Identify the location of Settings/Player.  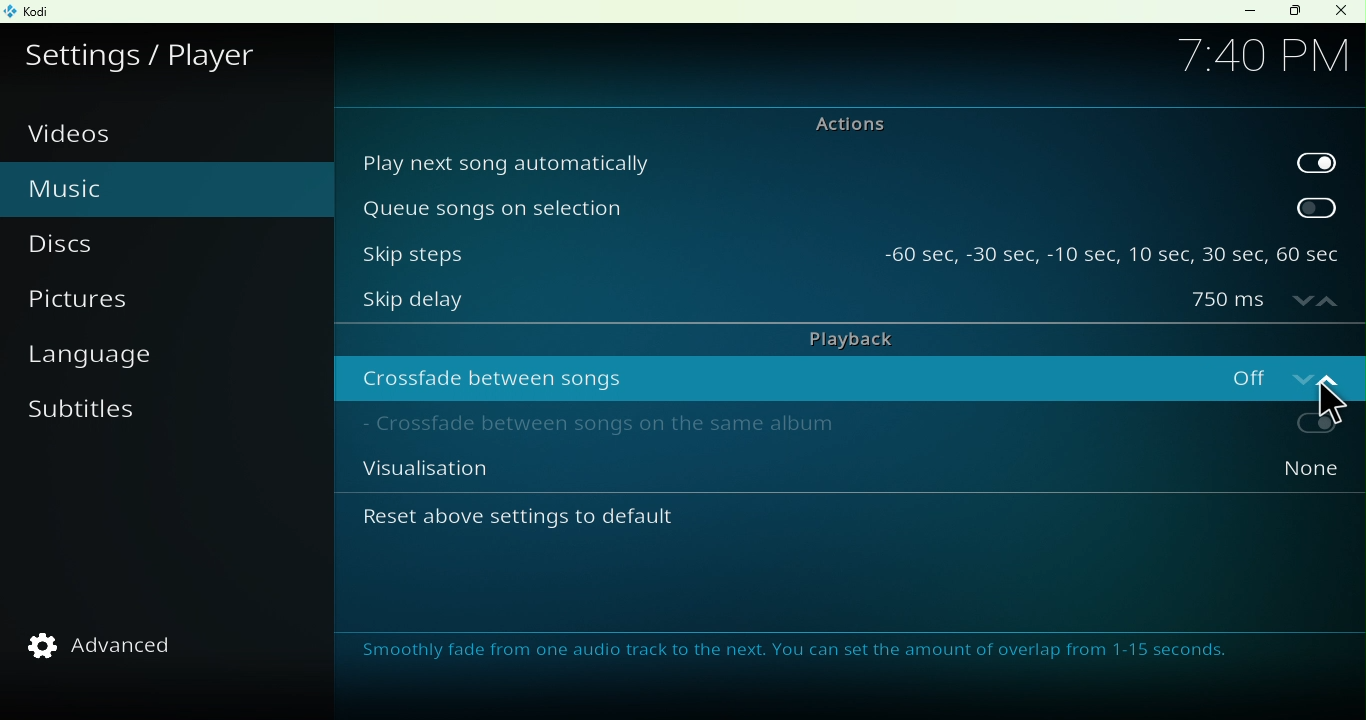
(147, 51).